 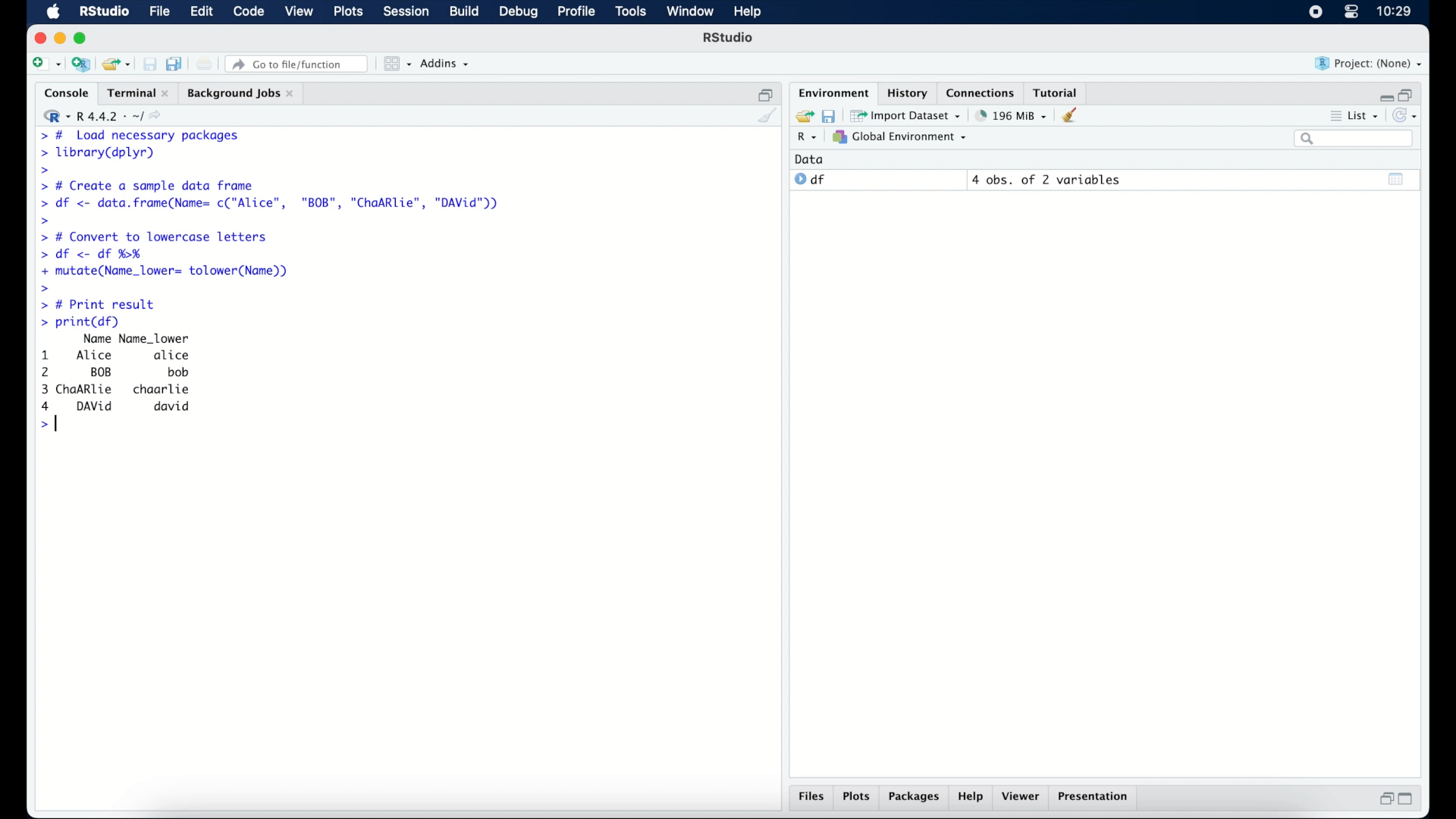 I want to click on profile, so click(x=576, y=12).